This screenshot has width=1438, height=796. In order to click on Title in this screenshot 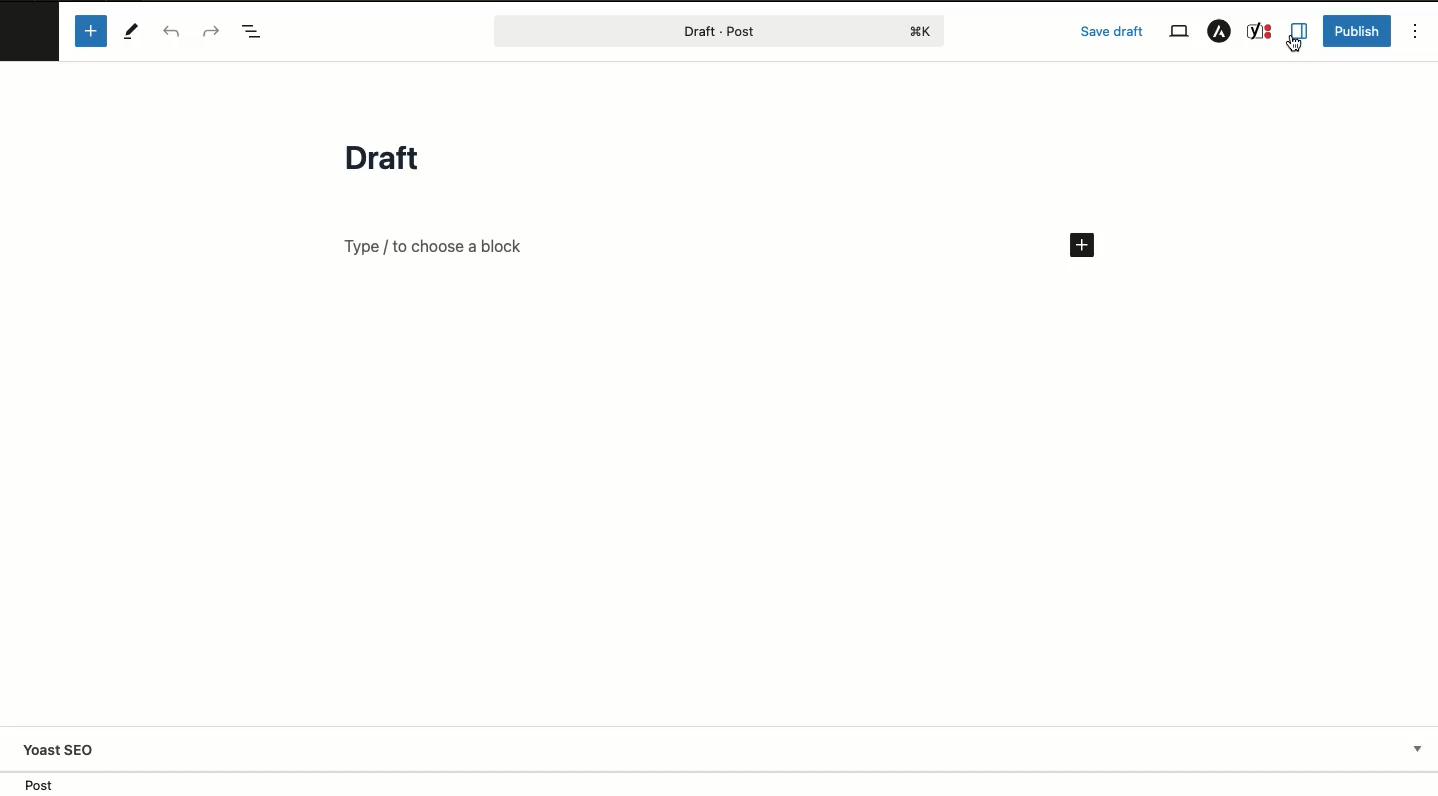, I will do `click(371, 156)`.